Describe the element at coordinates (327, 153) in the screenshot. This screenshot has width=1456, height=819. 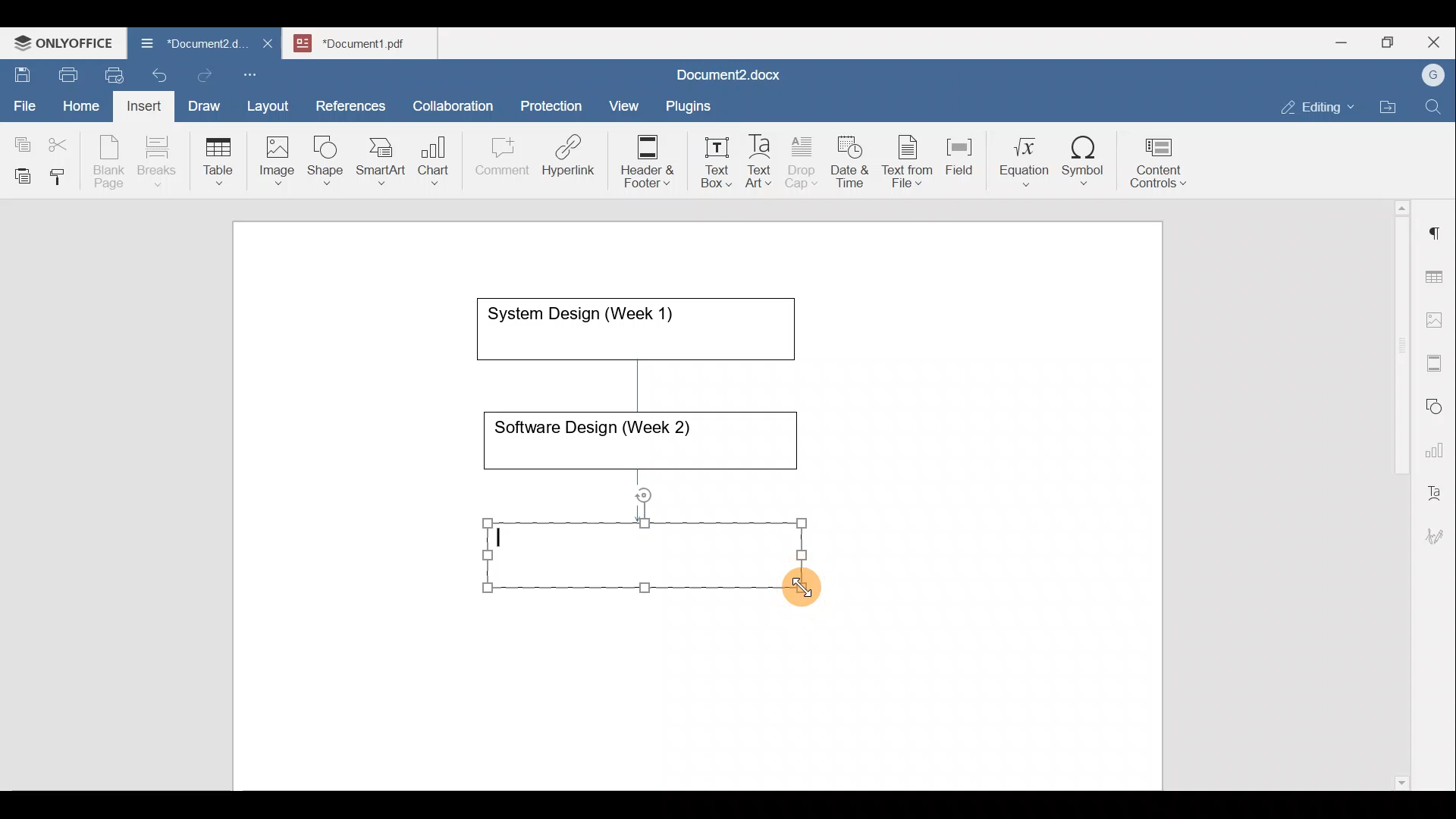
I see `Shape` at that location.